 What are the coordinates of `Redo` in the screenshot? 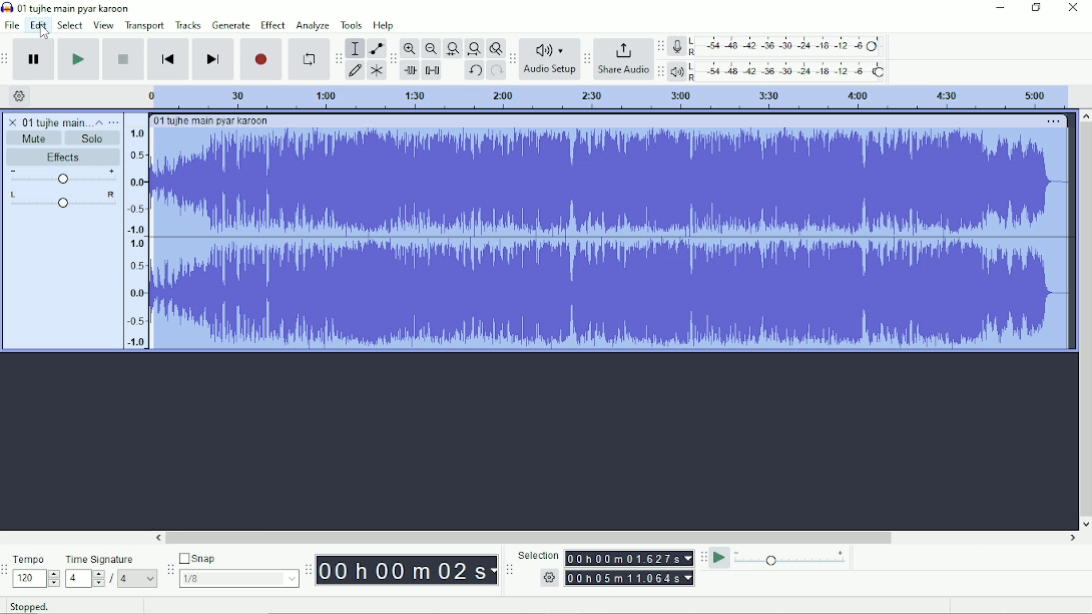 It's located at (496, 71).